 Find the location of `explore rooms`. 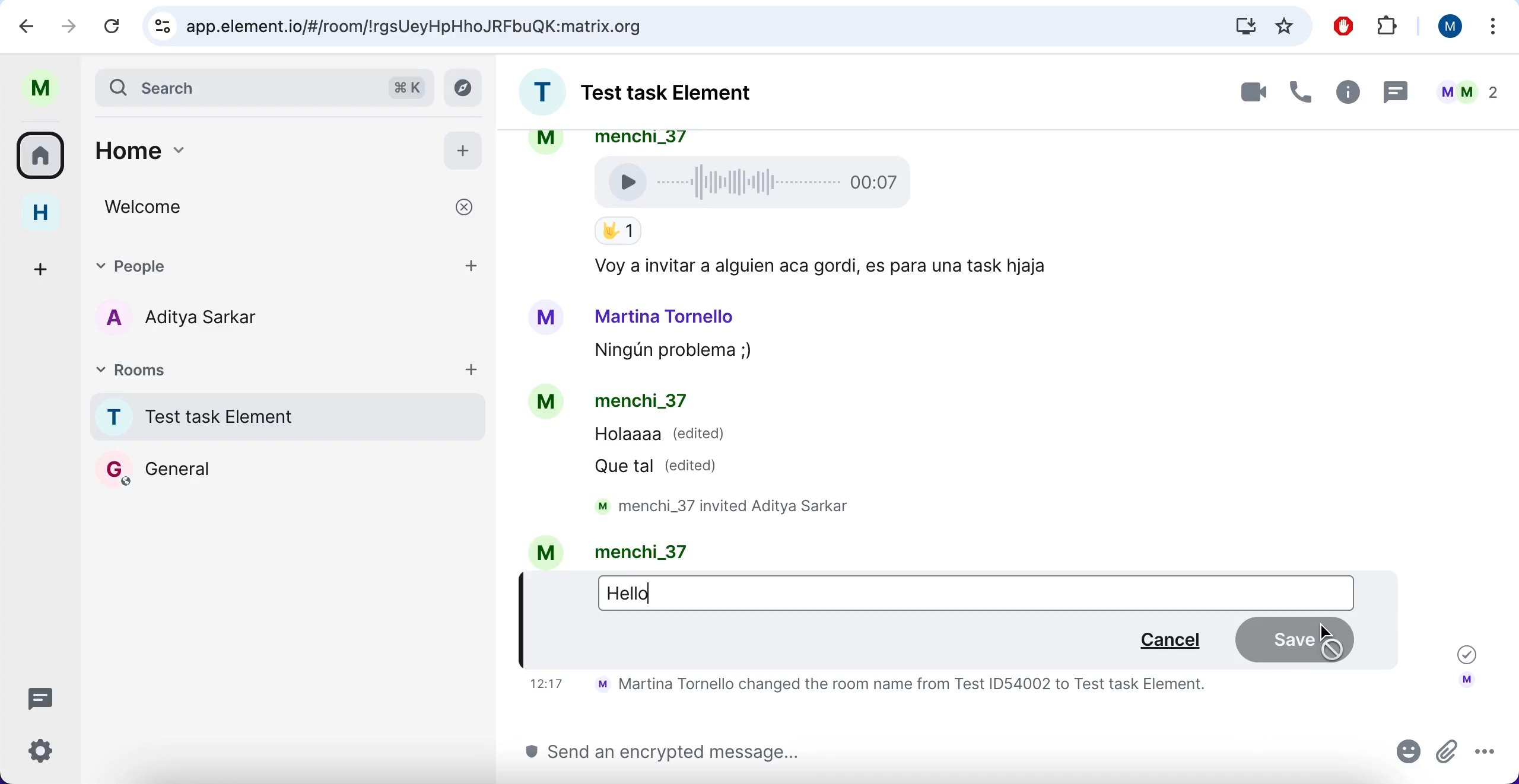

explore rooms is located at coordinates (466, 87).